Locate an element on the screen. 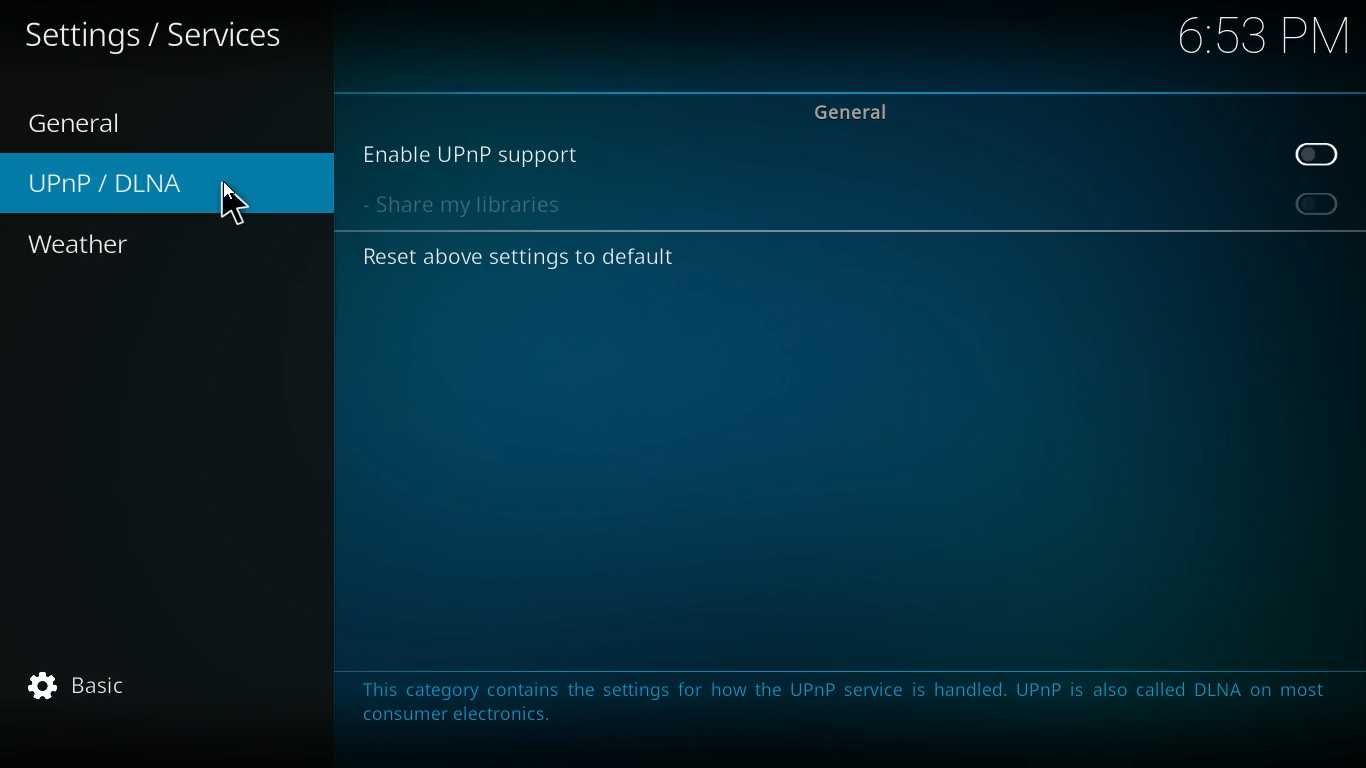  6:53 PM is located at coordinates (1254, 41).